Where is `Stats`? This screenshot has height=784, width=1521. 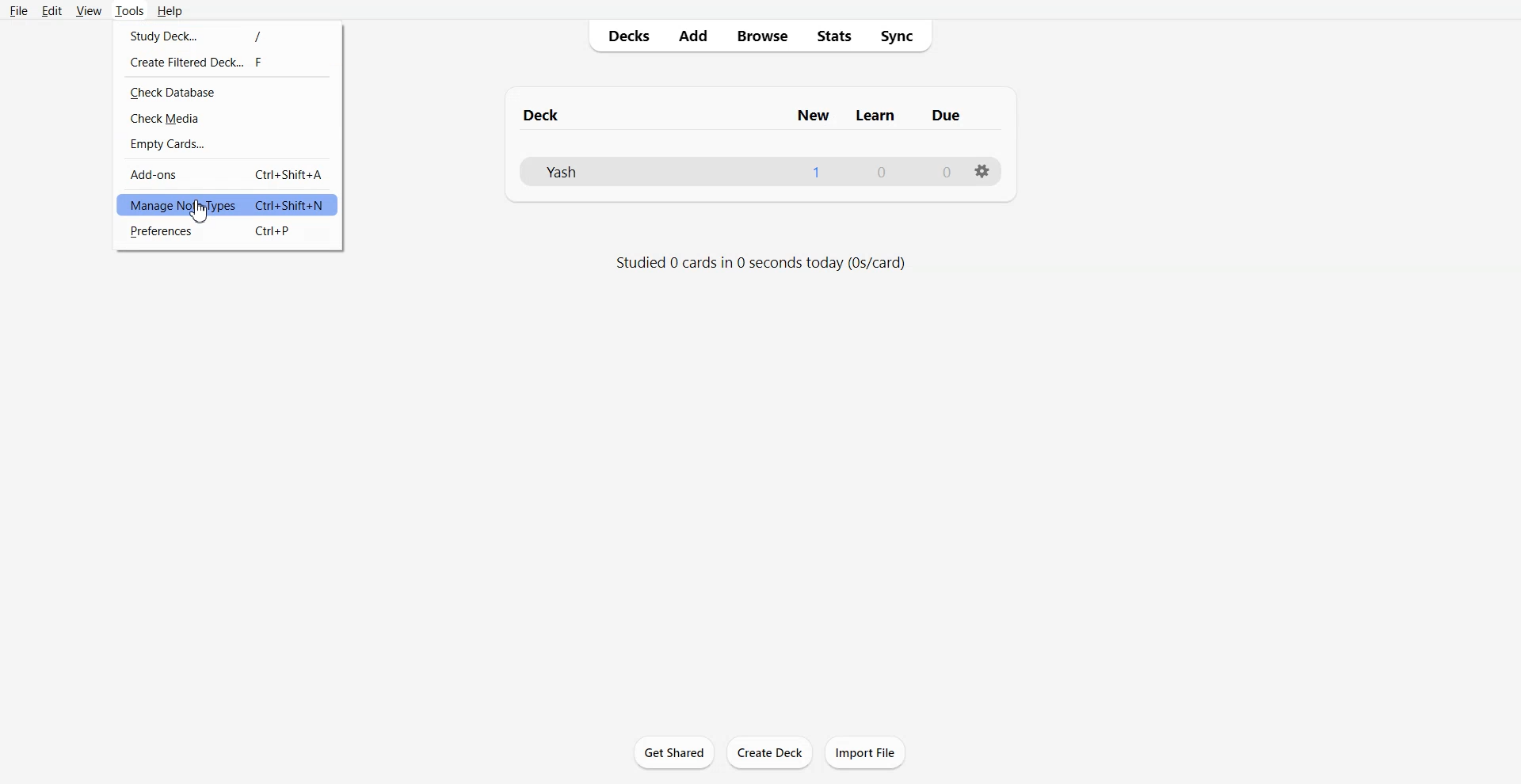 Stats is located at coordinates (834, 36).